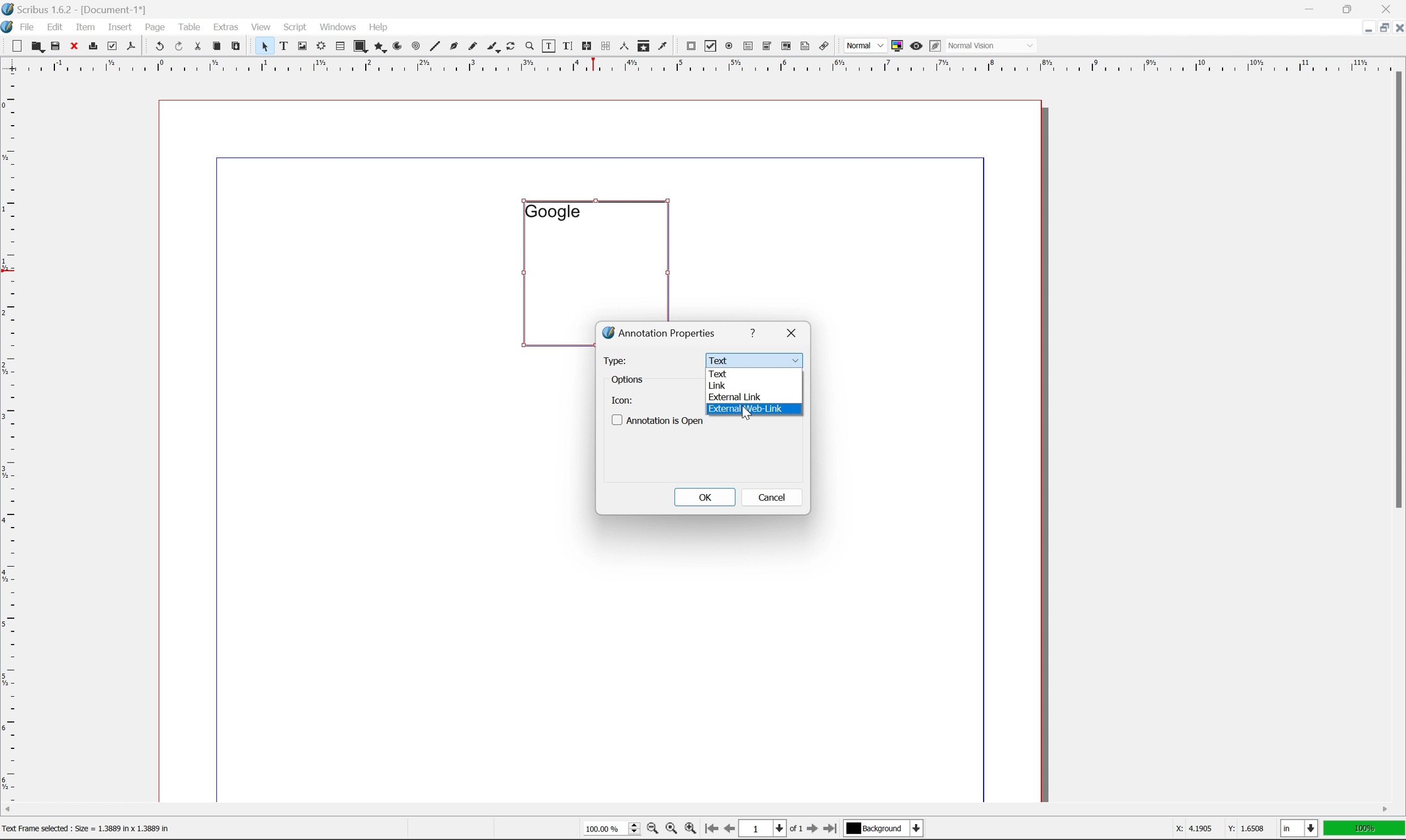 The image size is (1406, 840). Describe the element at coordinates (644, 46) in the screenshot. I see `copy item properties` at that location.